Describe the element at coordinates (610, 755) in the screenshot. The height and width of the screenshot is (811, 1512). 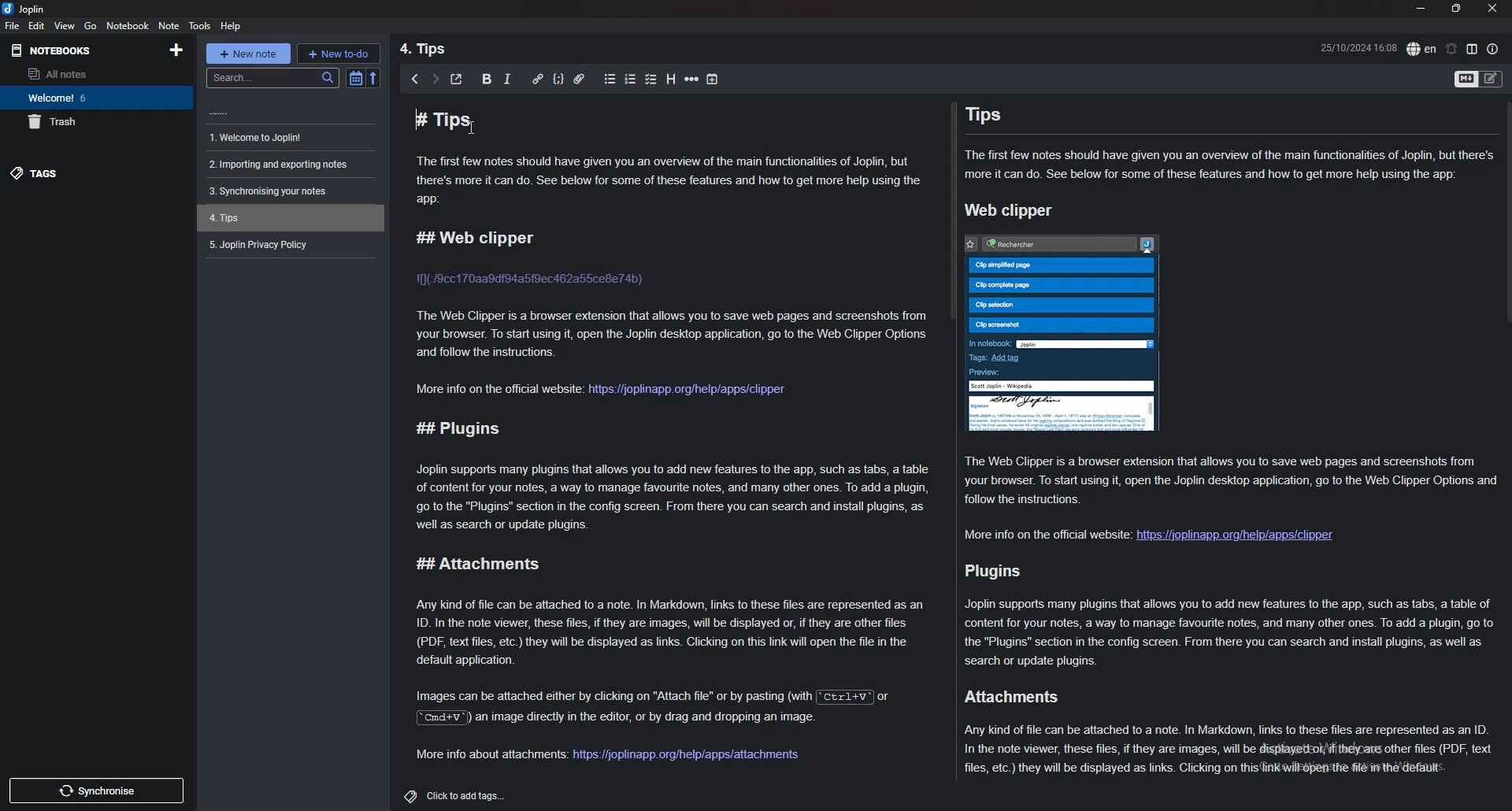
I see `More info about attachments: https: //joplinapp.org/help/apps/attachments` at that location.